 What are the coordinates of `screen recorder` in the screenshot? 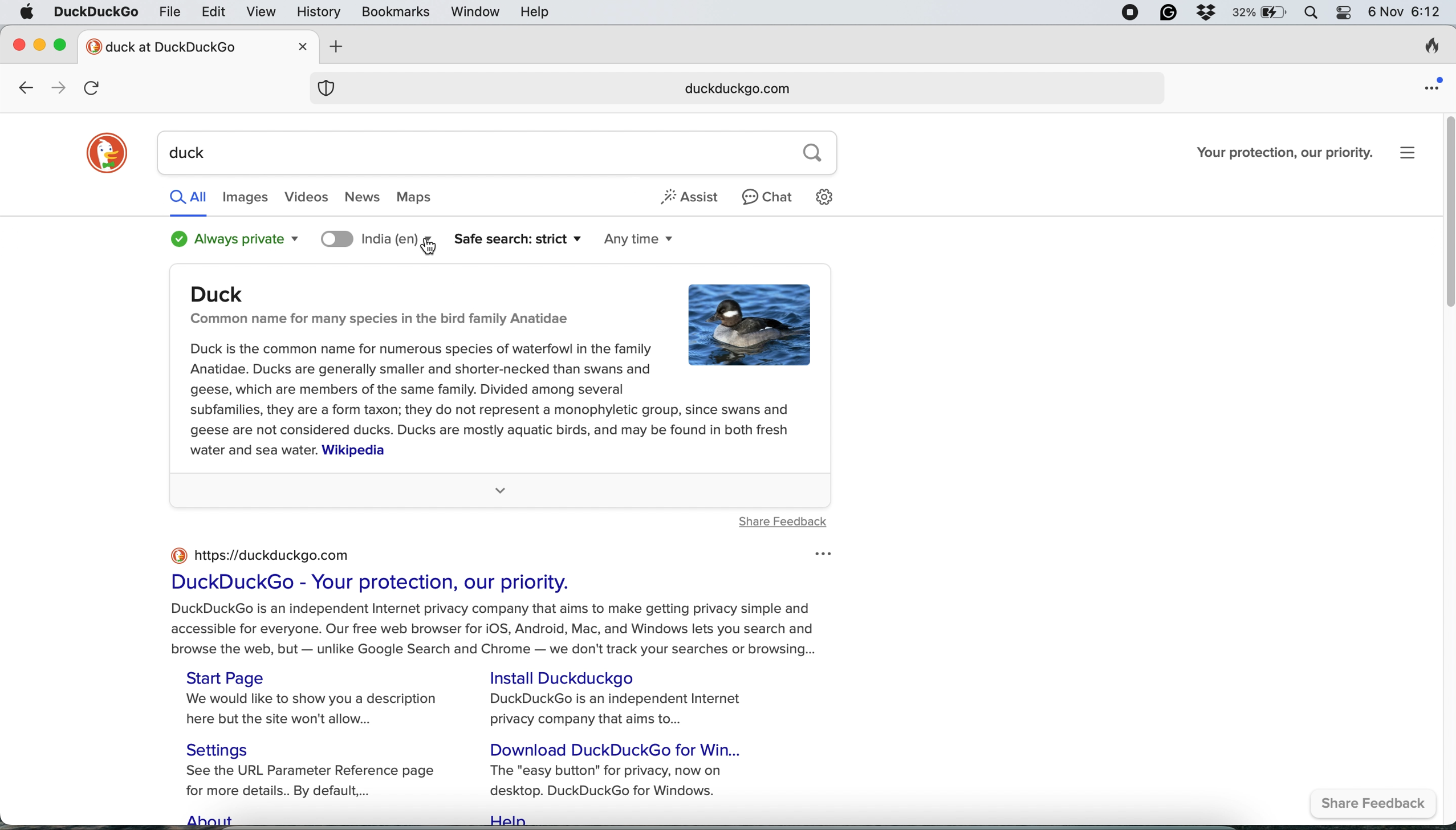 It's located at (1130, 13).